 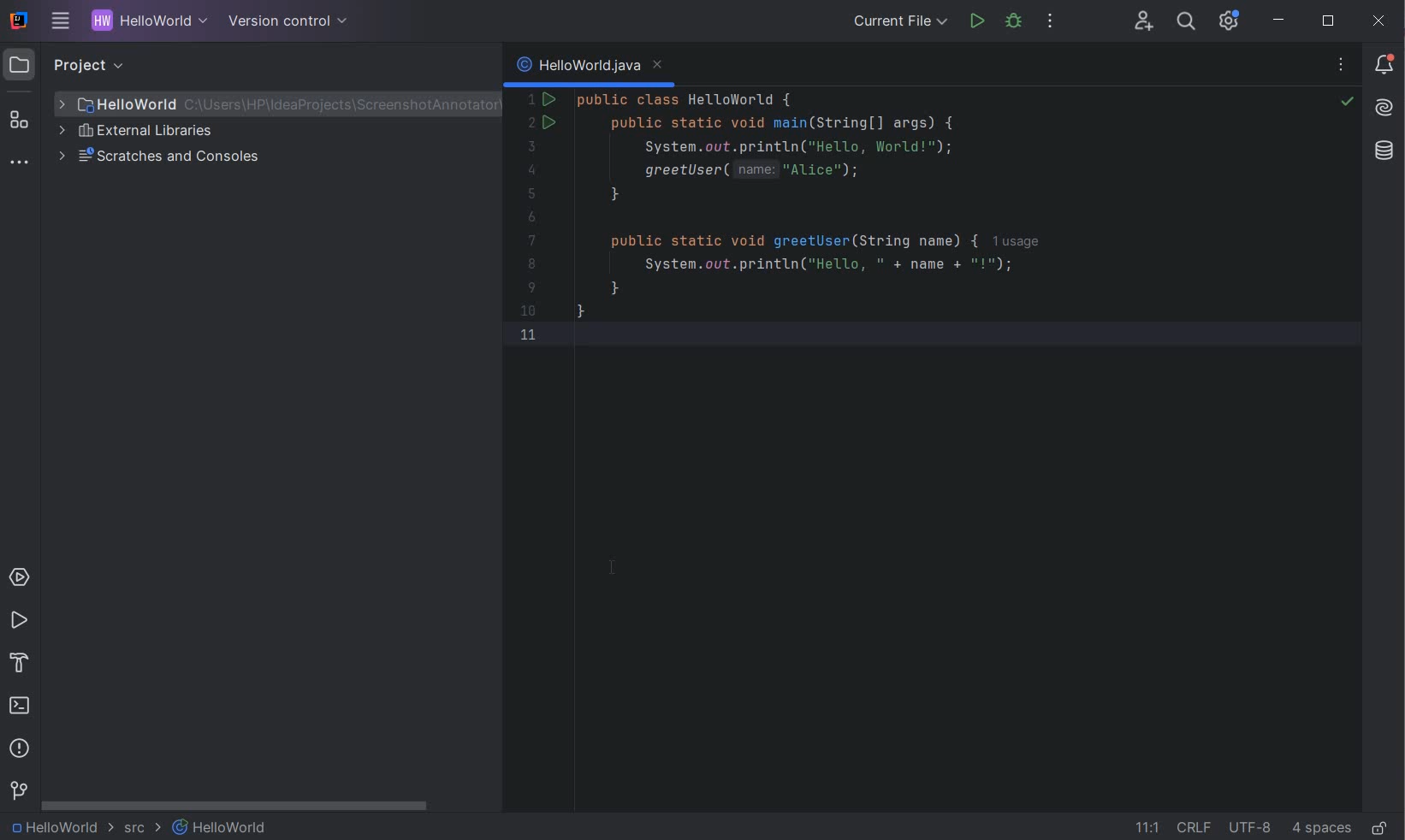 I want to click on TERMINAL, so click(x=21, y=707).